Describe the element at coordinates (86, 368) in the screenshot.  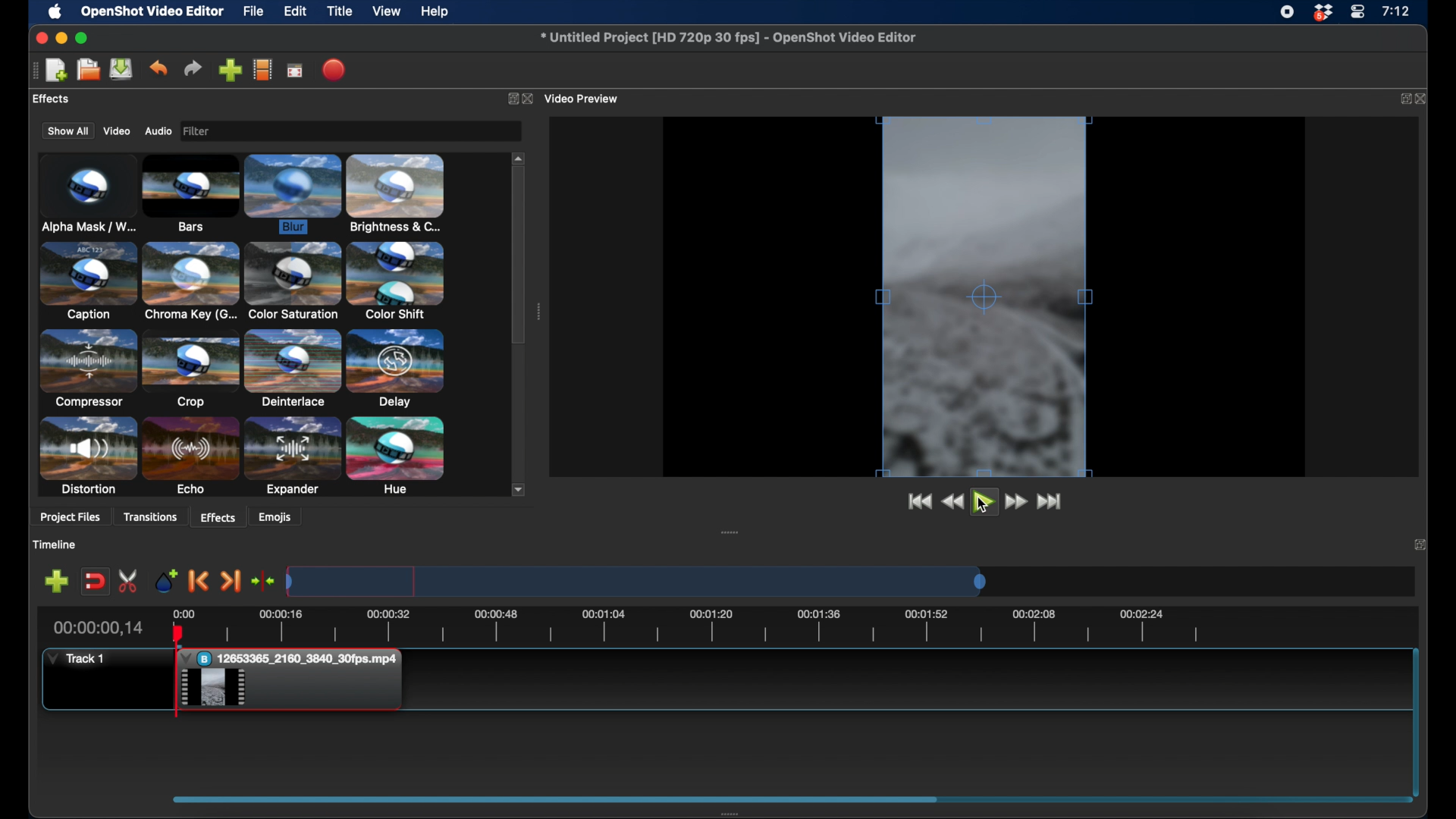
I see `compressor` at that location.